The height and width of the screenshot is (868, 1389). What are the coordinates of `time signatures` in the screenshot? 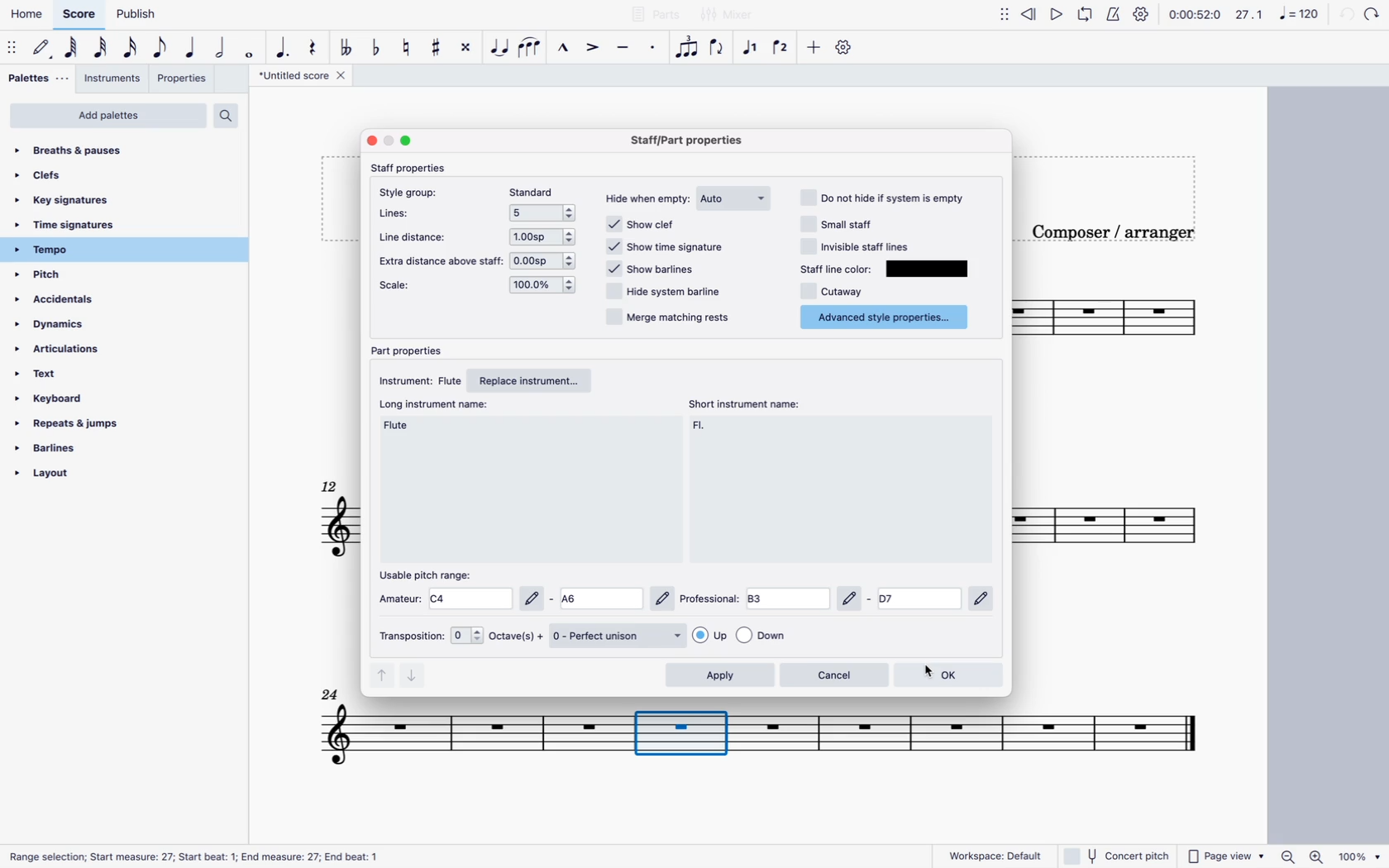 It's located at (76, 227).